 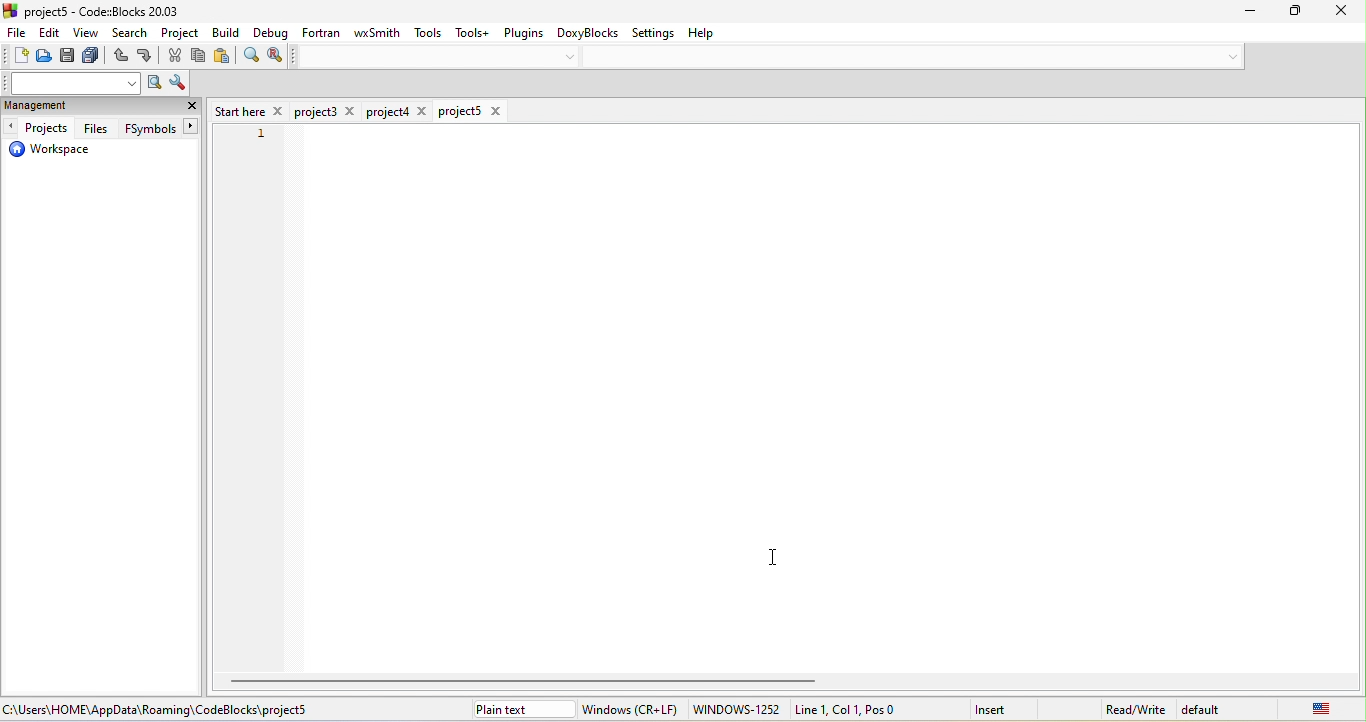 I want to click on window, so click(x=631, y=709).